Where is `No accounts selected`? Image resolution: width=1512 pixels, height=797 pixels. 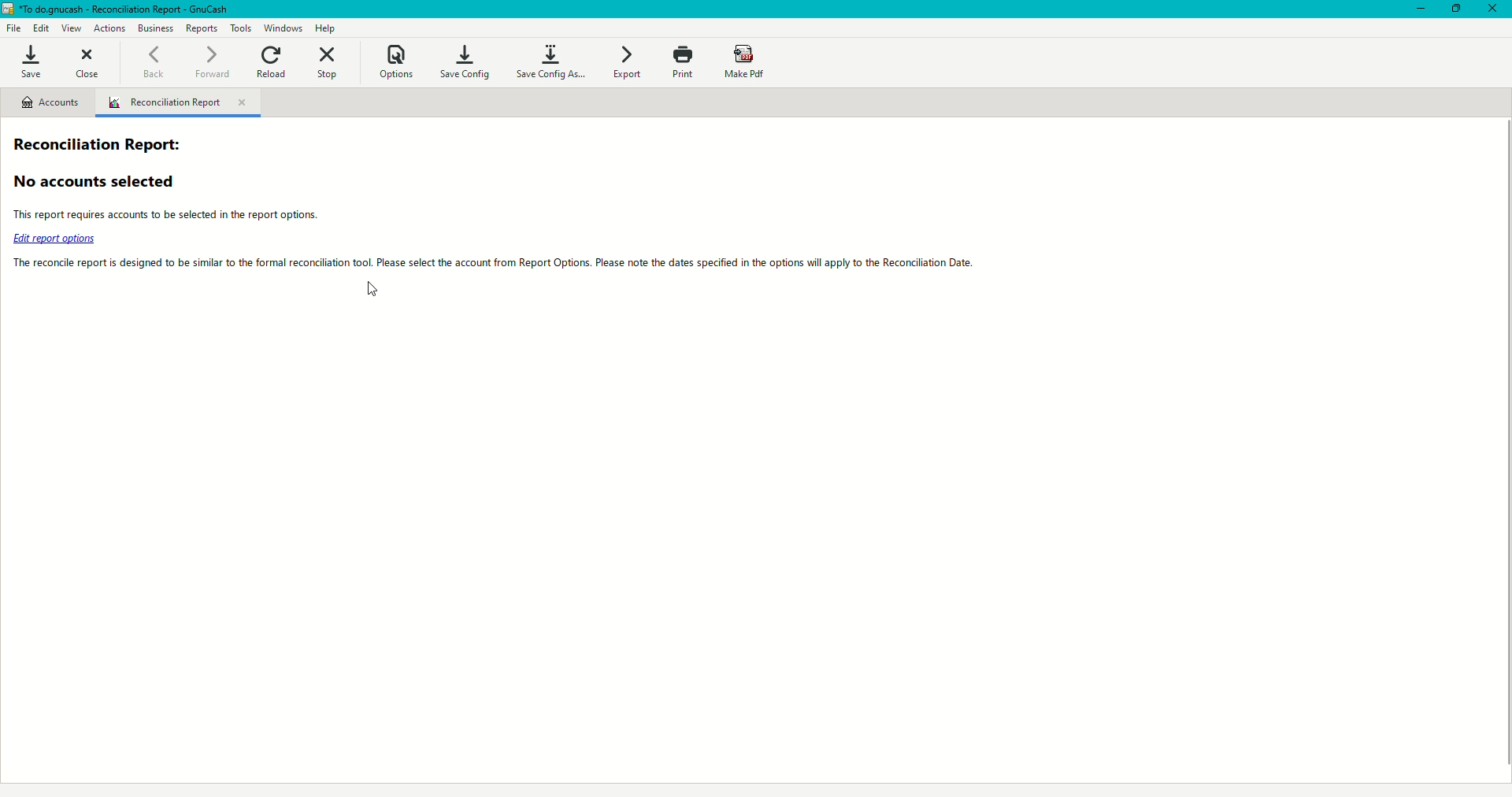
No accounts selected is located at coordinates (102, 183).